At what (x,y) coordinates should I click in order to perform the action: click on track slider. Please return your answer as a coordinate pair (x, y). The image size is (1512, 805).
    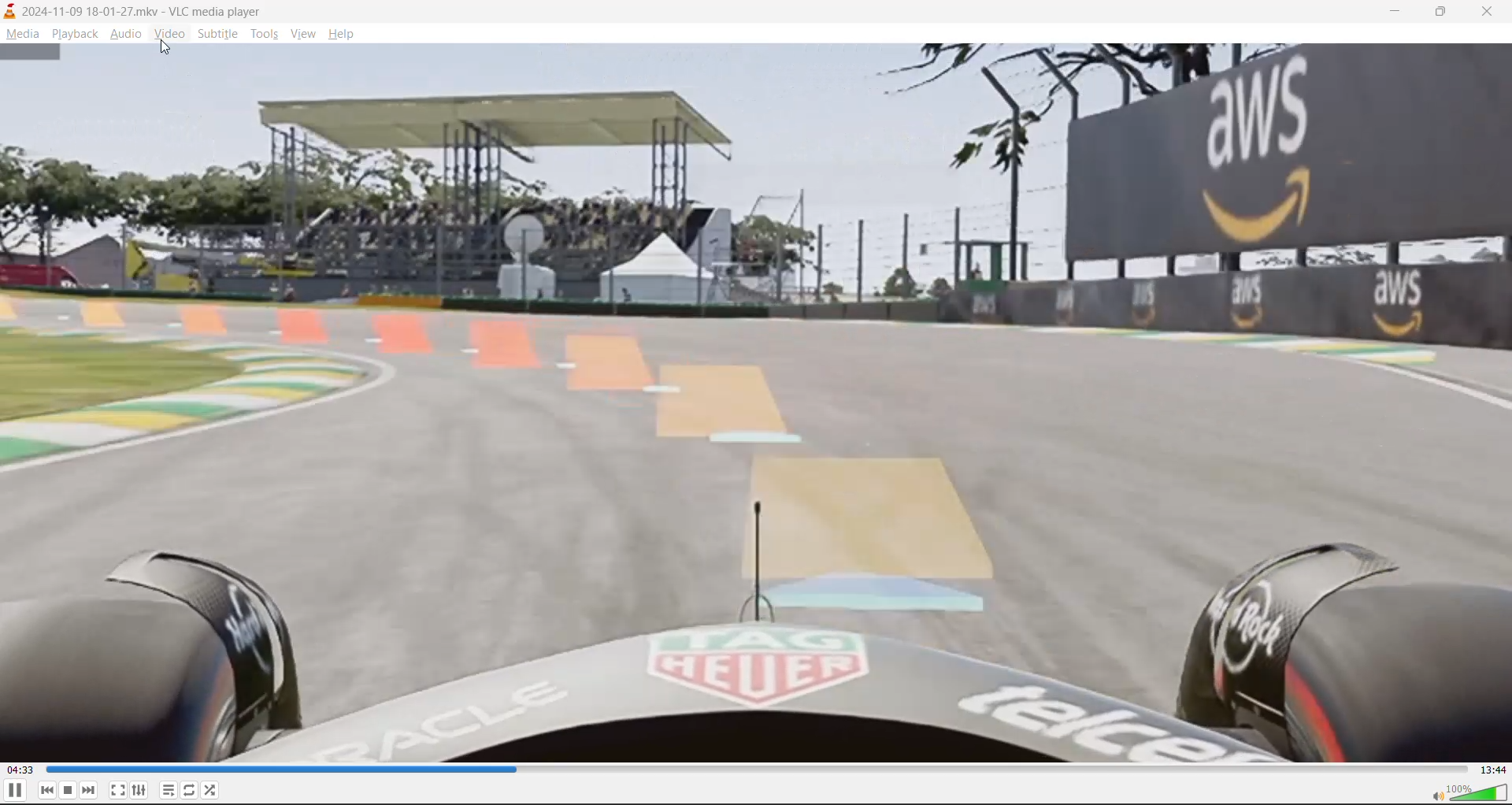
    Looking at the image, I should click on (759, 770).